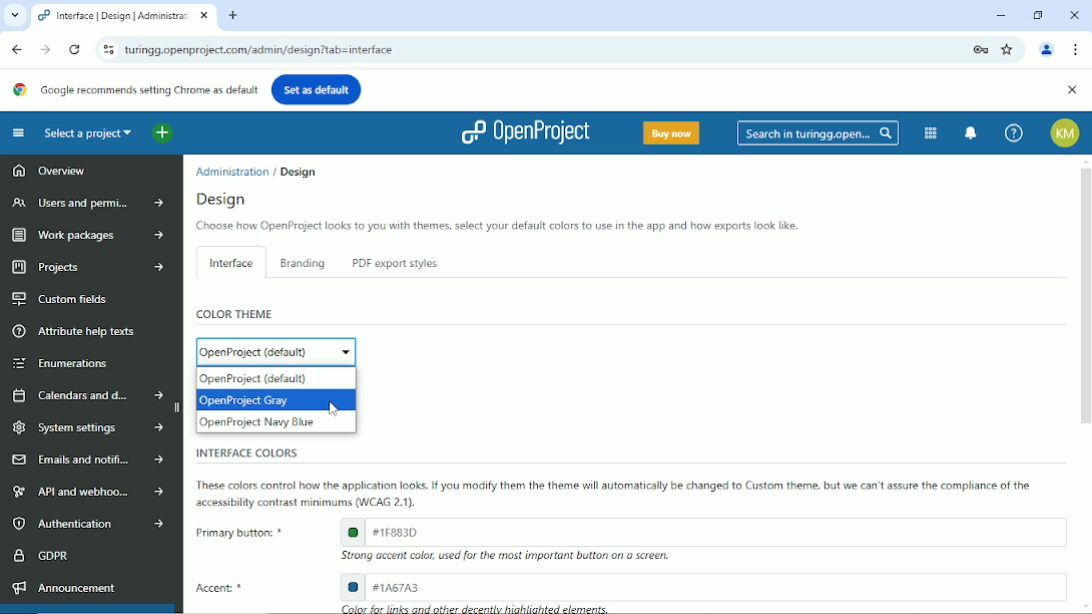  Describe the element at coordinates (162, 134) in the screenshot. I see `Open quick add menu` at that location.